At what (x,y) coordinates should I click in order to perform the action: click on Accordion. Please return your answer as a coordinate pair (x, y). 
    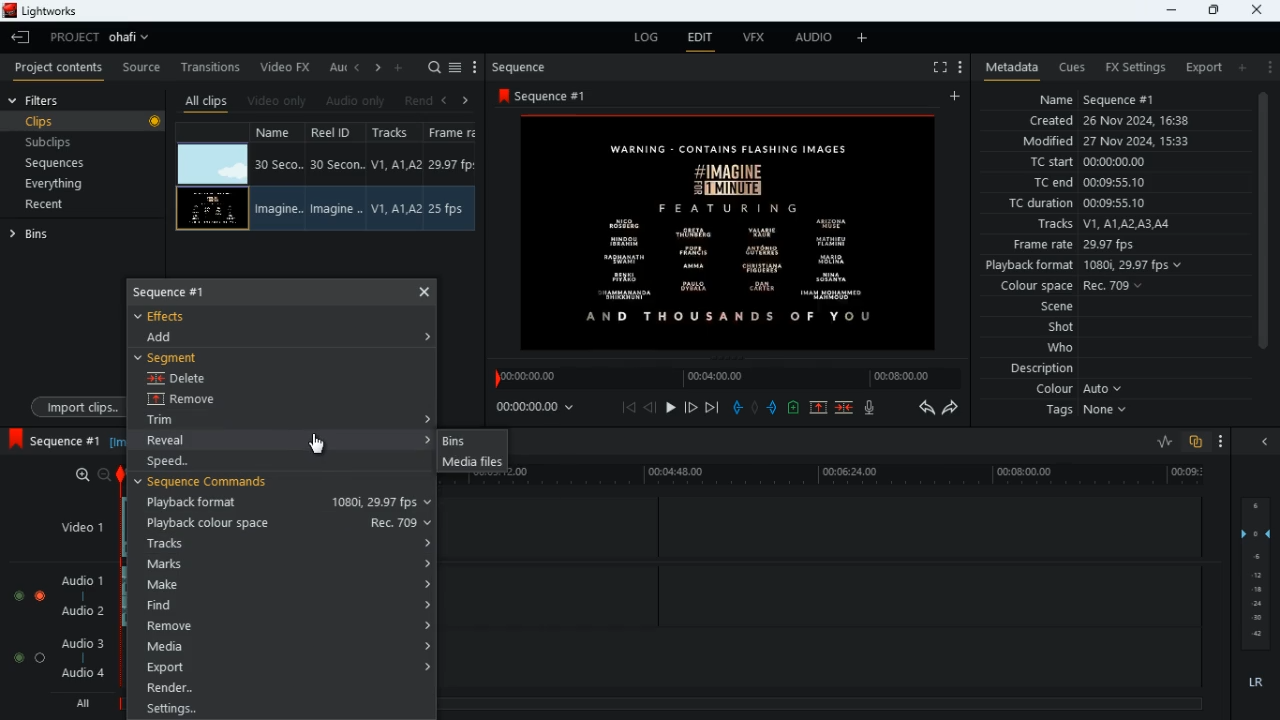
    Looking at the image, I should click on (432, 337).